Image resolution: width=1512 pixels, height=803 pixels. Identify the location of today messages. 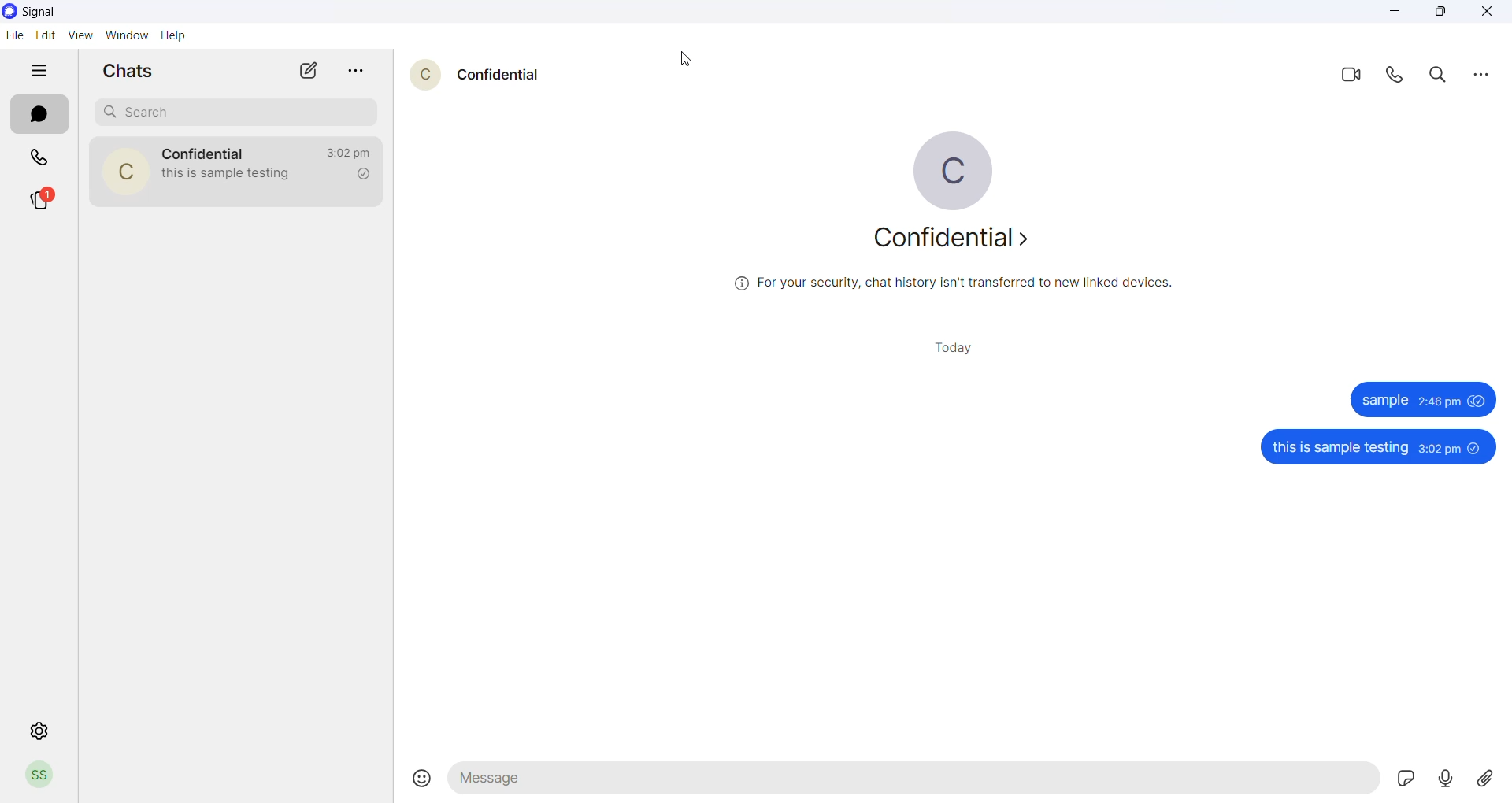
(953, 349).